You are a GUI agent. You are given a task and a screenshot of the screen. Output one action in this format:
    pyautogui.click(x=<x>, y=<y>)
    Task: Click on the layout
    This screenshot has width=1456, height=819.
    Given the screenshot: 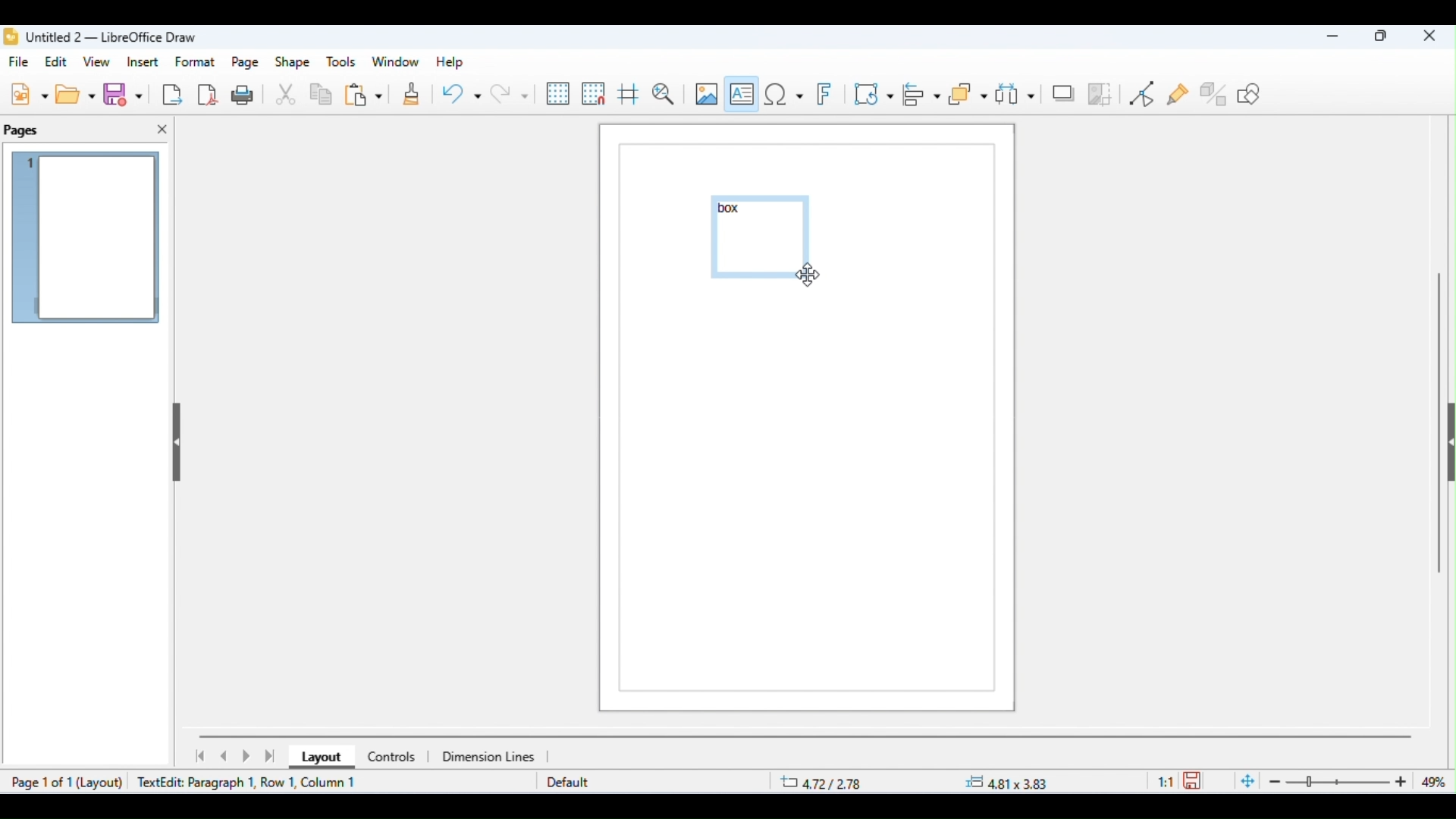 What is the action you would take?
    pyautogui.click(x=105, y=783)
    